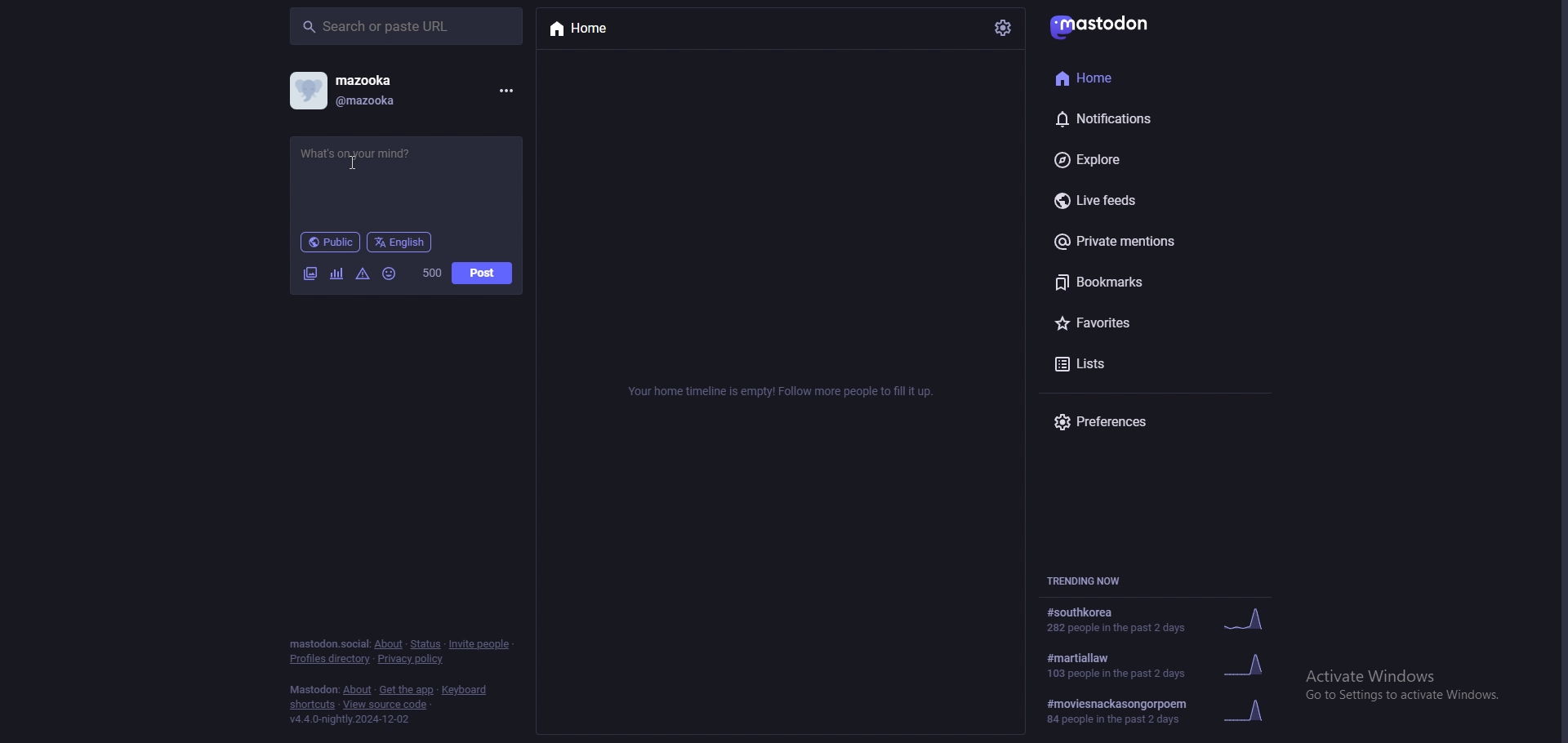 Image resolution: width=1568 pixels, height=743 pixels. I want to click on audience, so click(331, 242).